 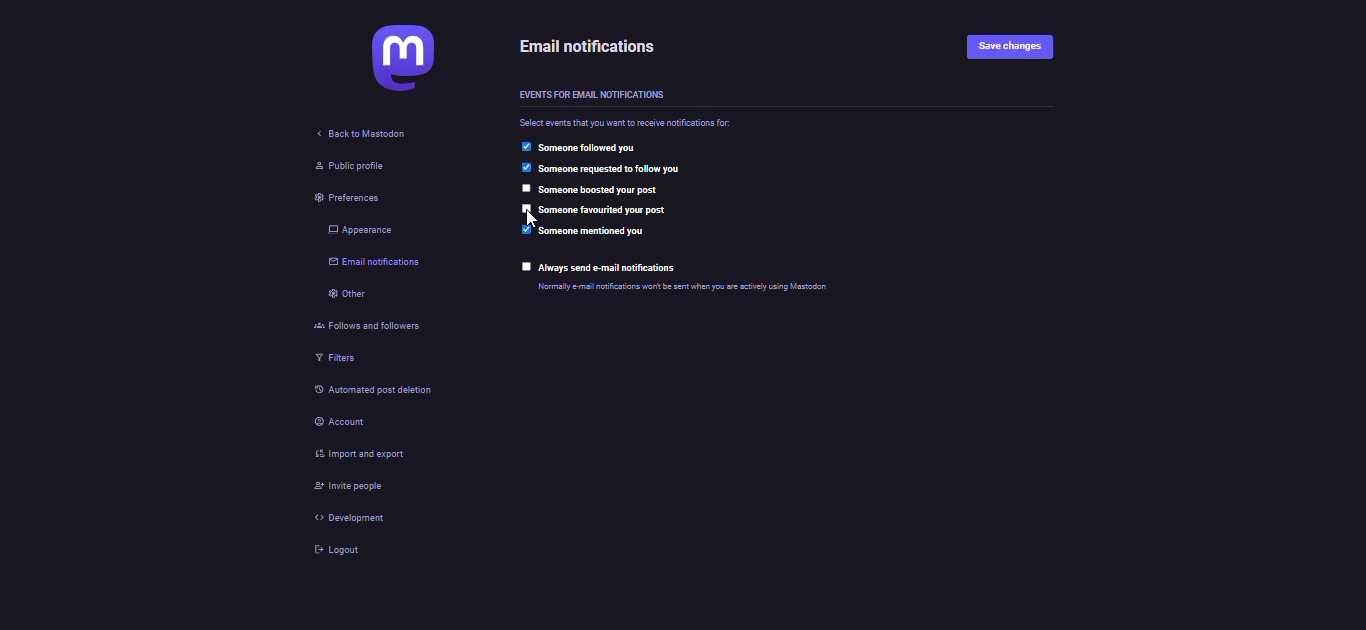 What do you see at coordinates (612, 268) in the screenshot?
I see `always send email notifications` at bounding box center [612, 268].